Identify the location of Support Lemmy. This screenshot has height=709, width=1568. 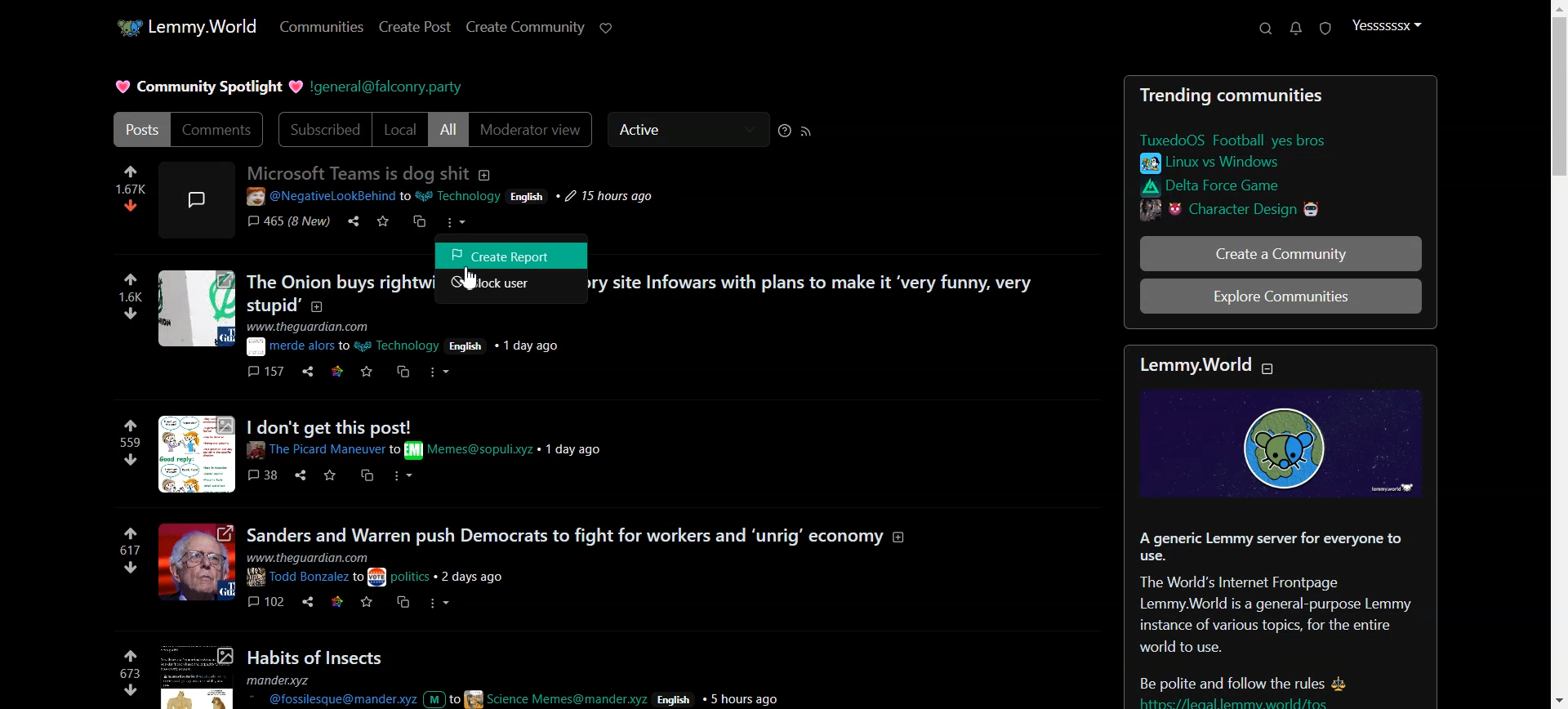
(606, 29).